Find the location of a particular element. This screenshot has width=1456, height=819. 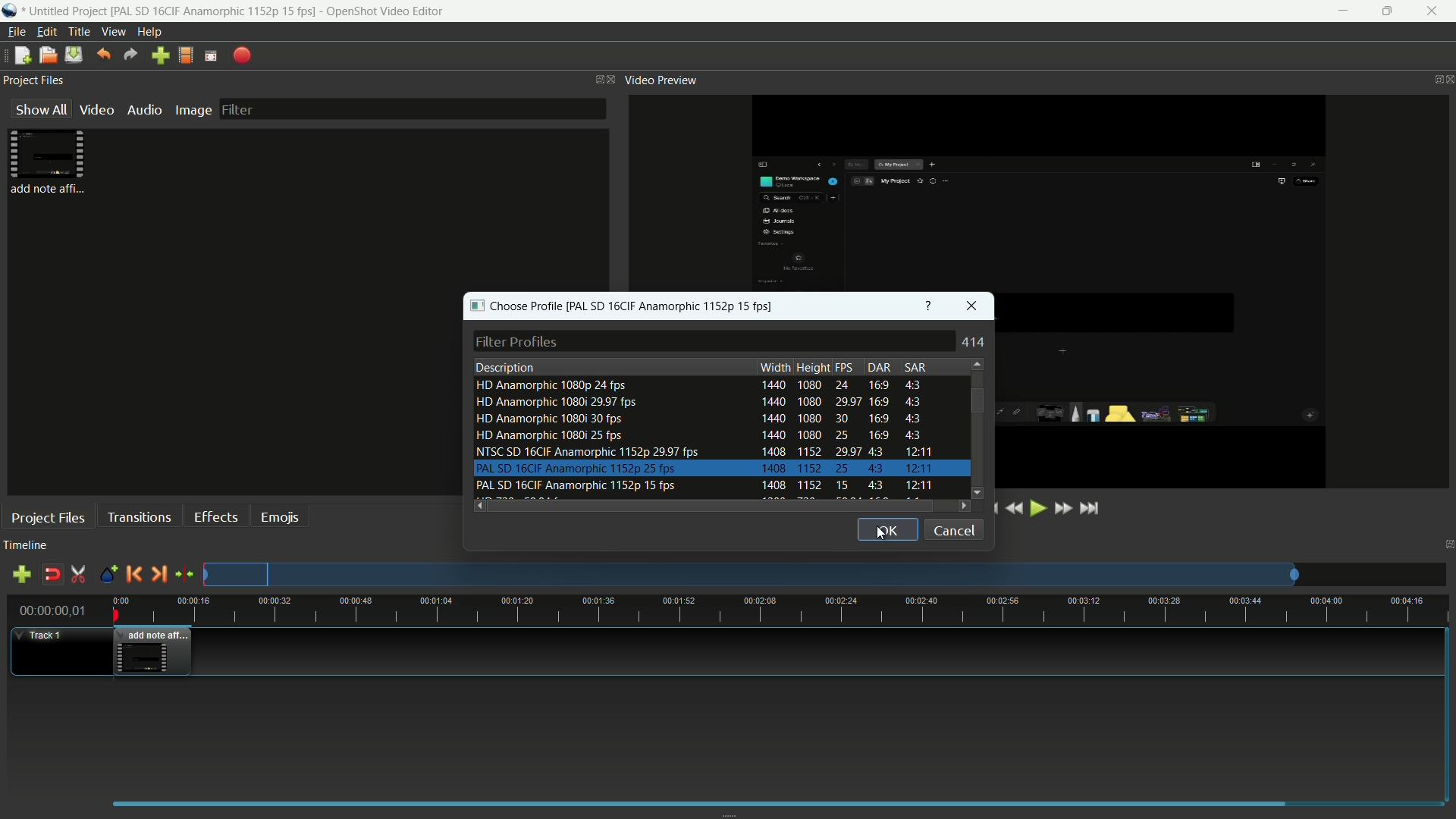

dar is located at coordinates (879, 367).